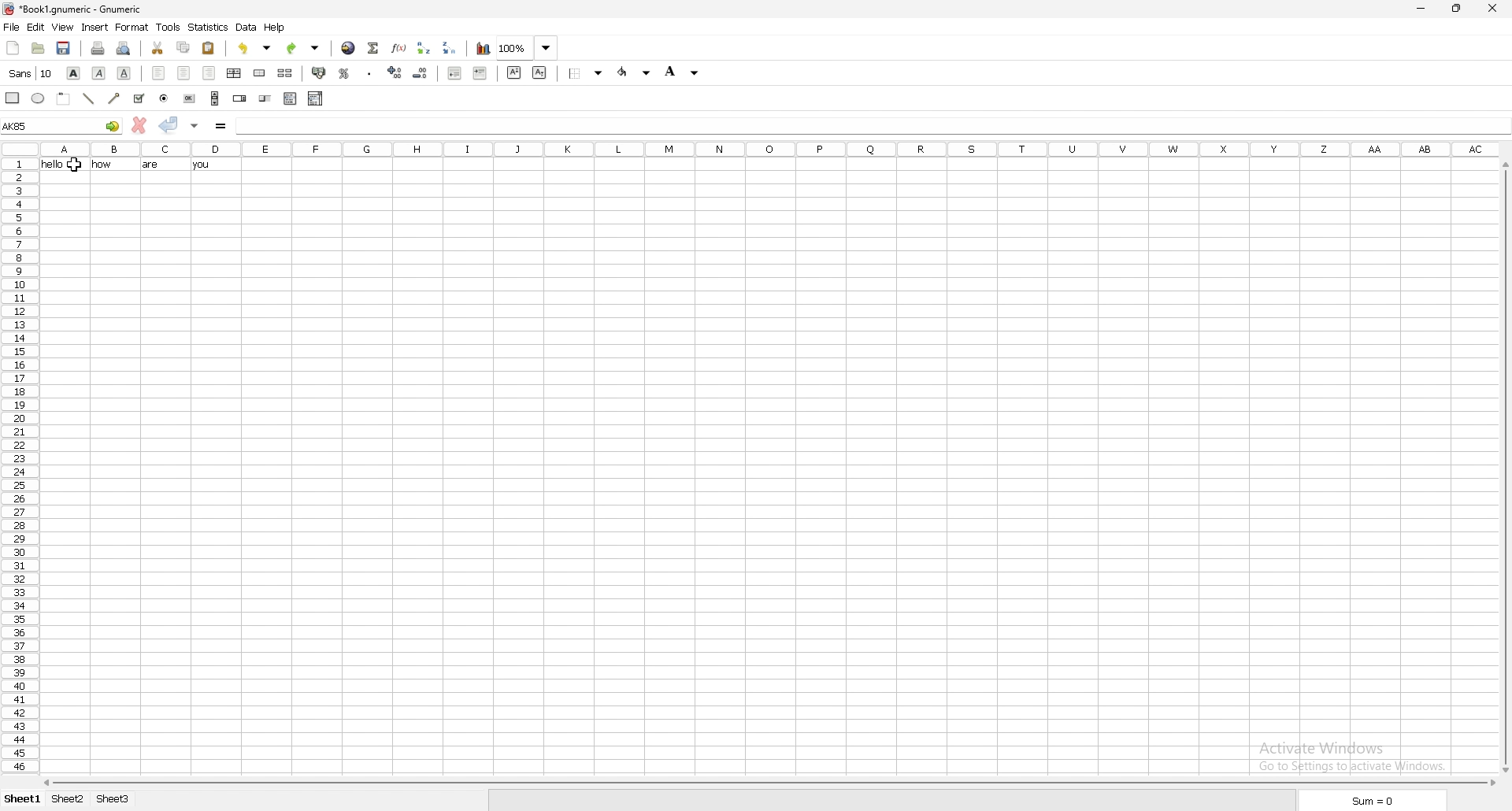 The image size is (1512, 811). I want to click on merge cells, so click(259, 73).